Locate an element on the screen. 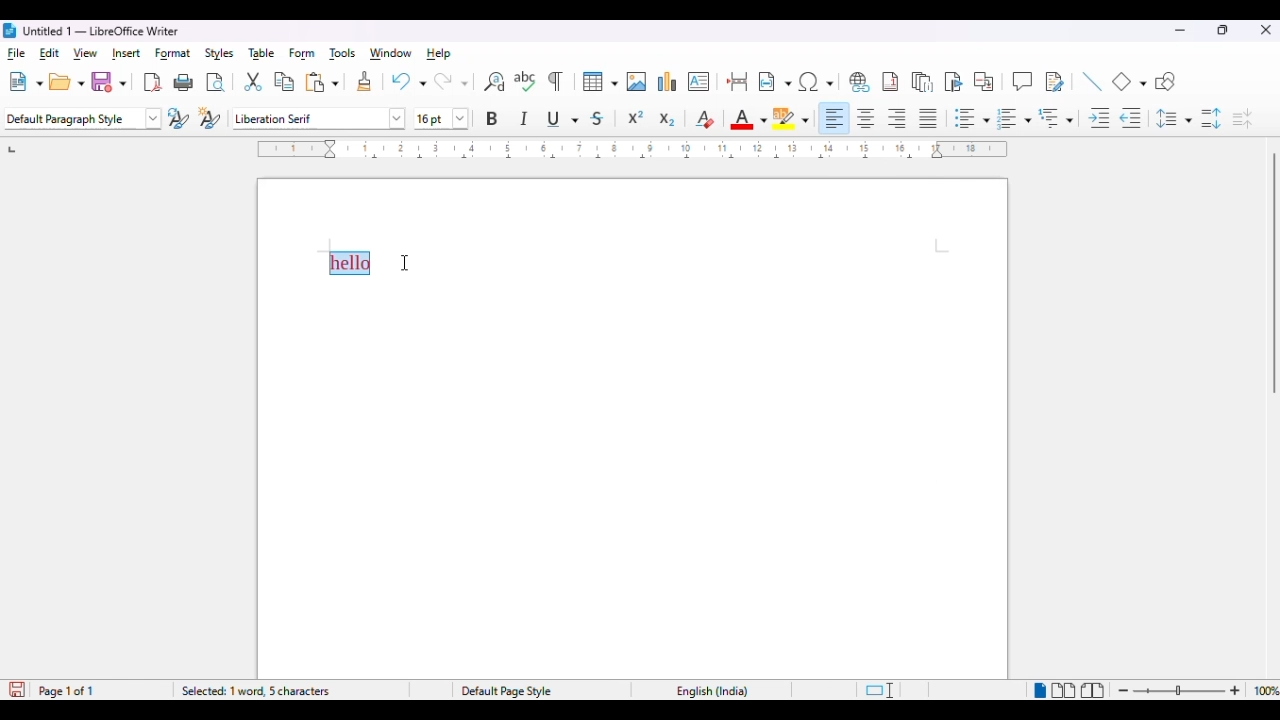  new is located at coordinates (25, 83).